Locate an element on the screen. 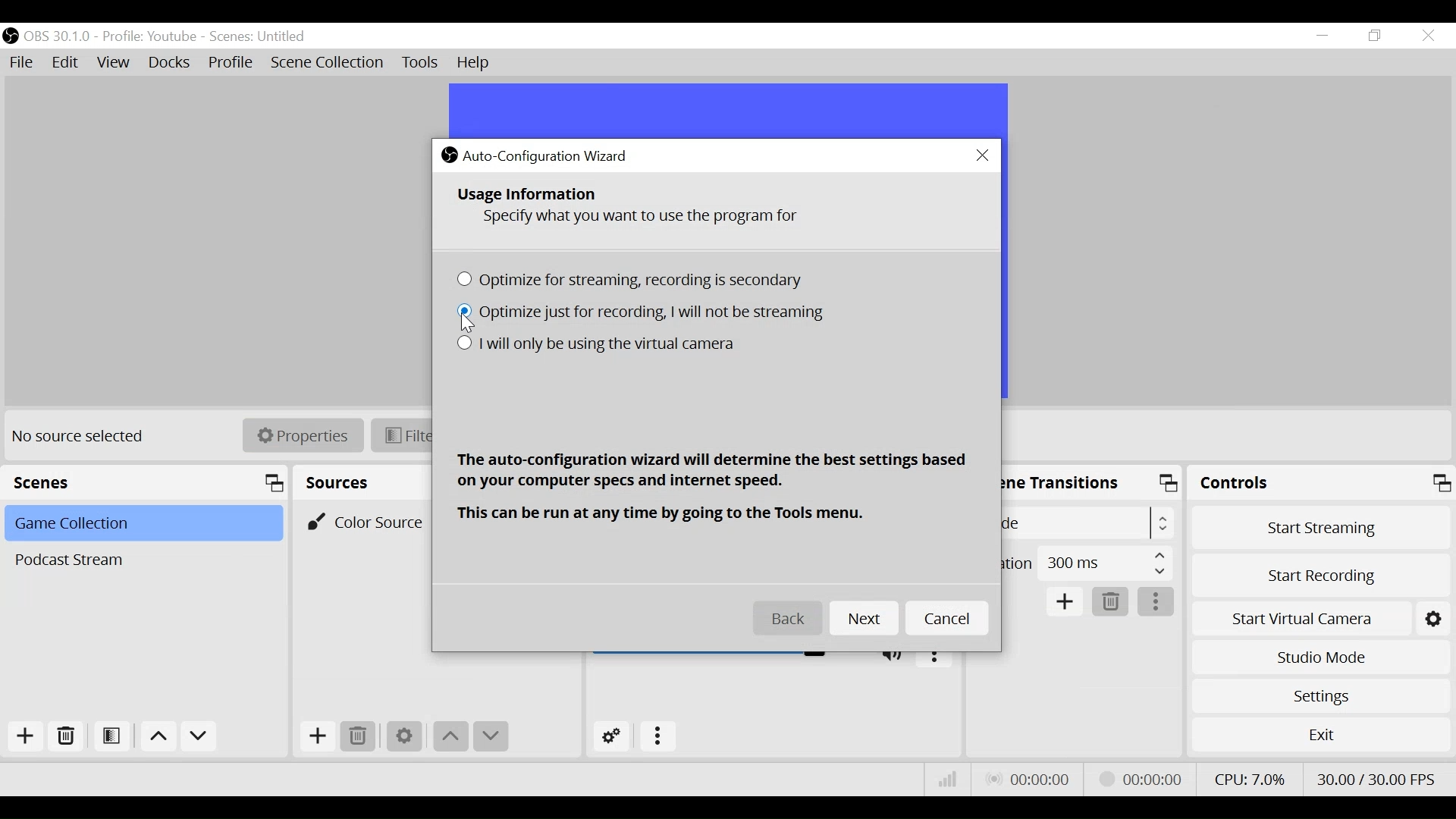 This screenshot has height=819, width=1456. Scene Collection is located at coordinates (326, 63).